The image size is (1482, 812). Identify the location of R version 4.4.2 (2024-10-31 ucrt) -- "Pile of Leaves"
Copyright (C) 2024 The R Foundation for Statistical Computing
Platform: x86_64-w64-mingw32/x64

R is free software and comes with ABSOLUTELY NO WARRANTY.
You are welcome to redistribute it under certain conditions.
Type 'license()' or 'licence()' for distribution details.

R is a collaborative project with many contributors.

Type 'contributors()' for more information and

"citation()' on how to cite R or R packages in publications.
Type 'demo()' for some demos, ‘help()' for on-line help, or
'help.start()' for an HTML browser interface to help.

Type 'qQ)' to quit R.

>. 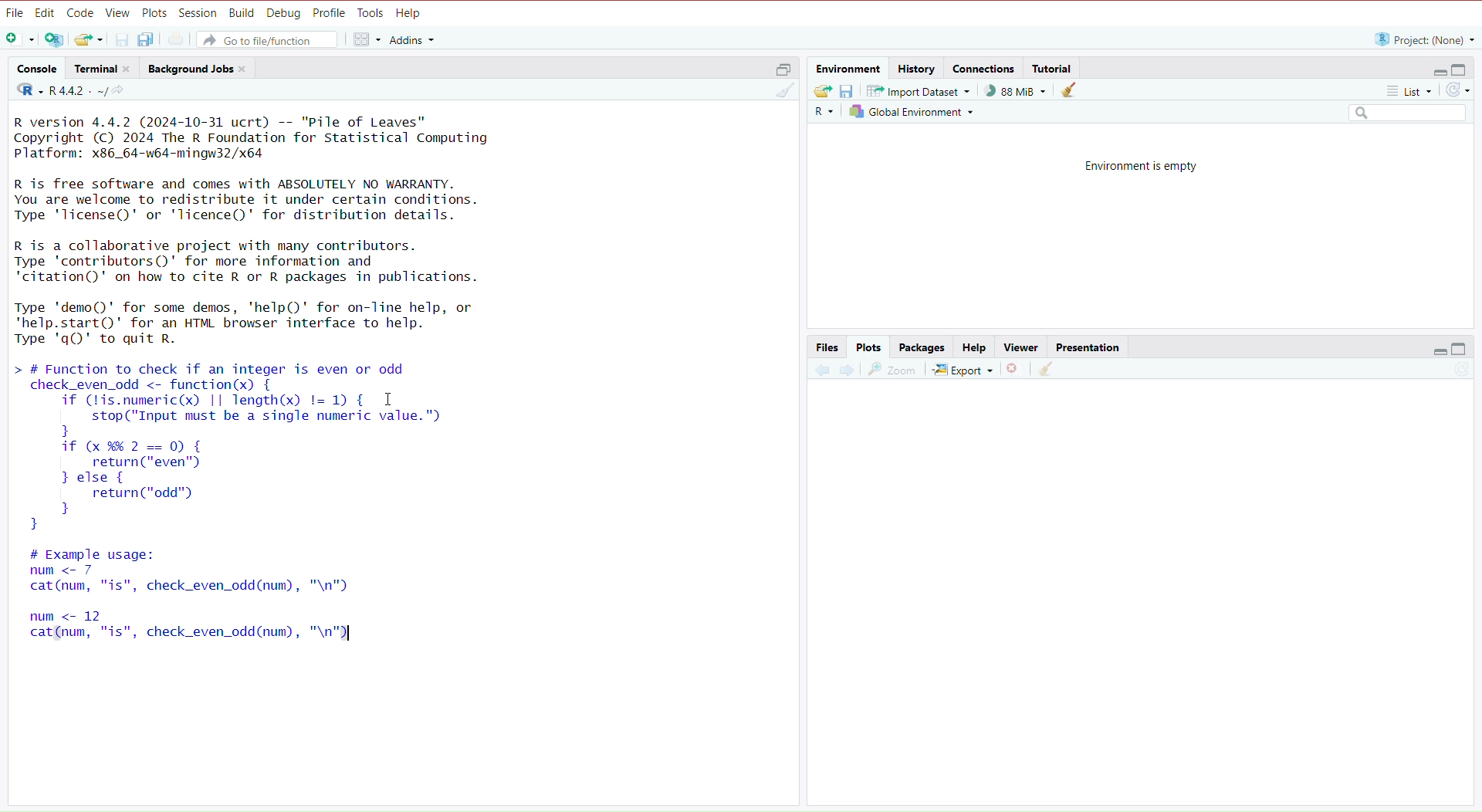
(279, 231).